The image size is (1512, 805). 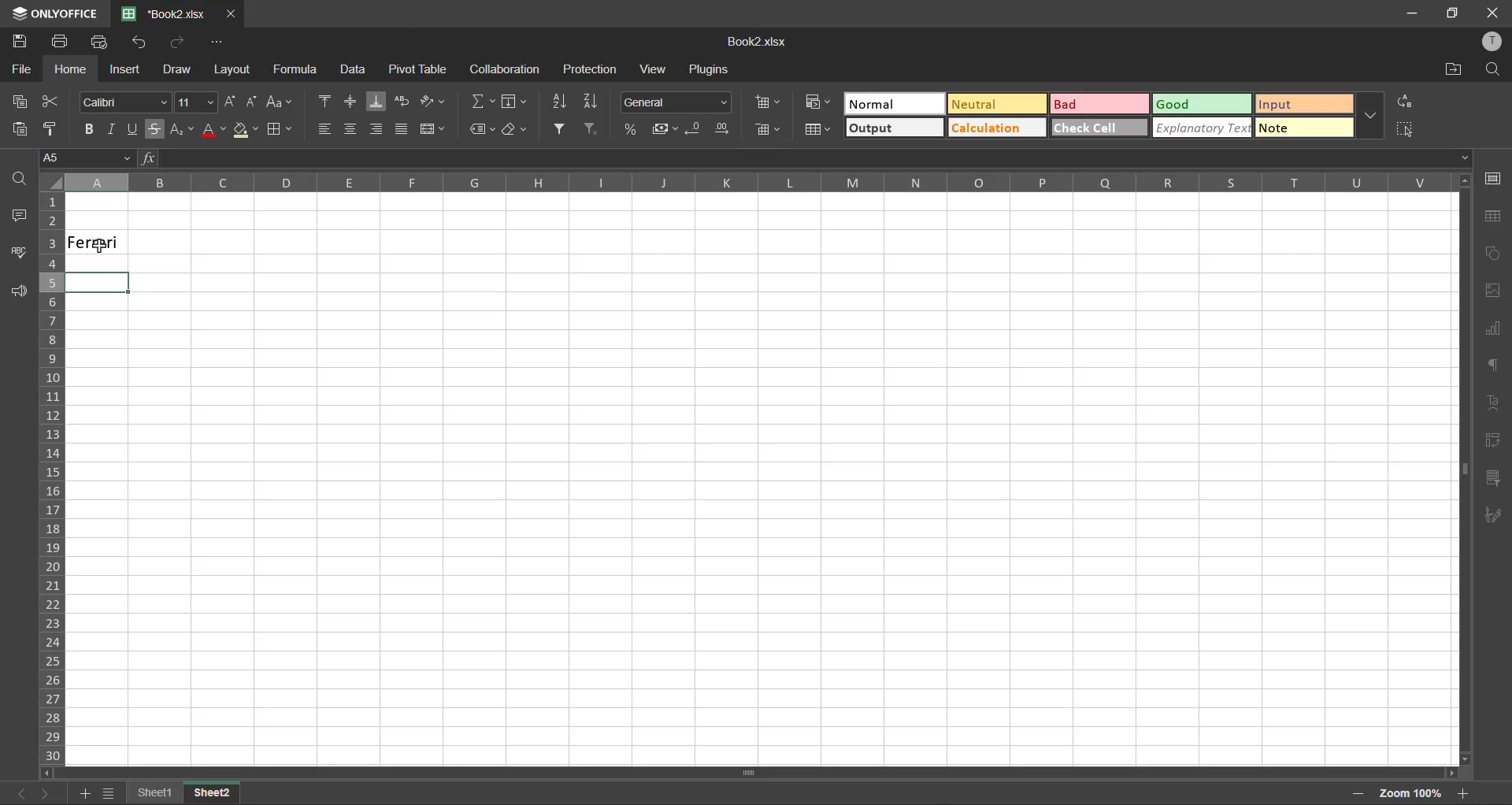 What do you see at coordinates (215, 793) in the screenshot?
I see `sheet 2` at bounding box center [215, 793].